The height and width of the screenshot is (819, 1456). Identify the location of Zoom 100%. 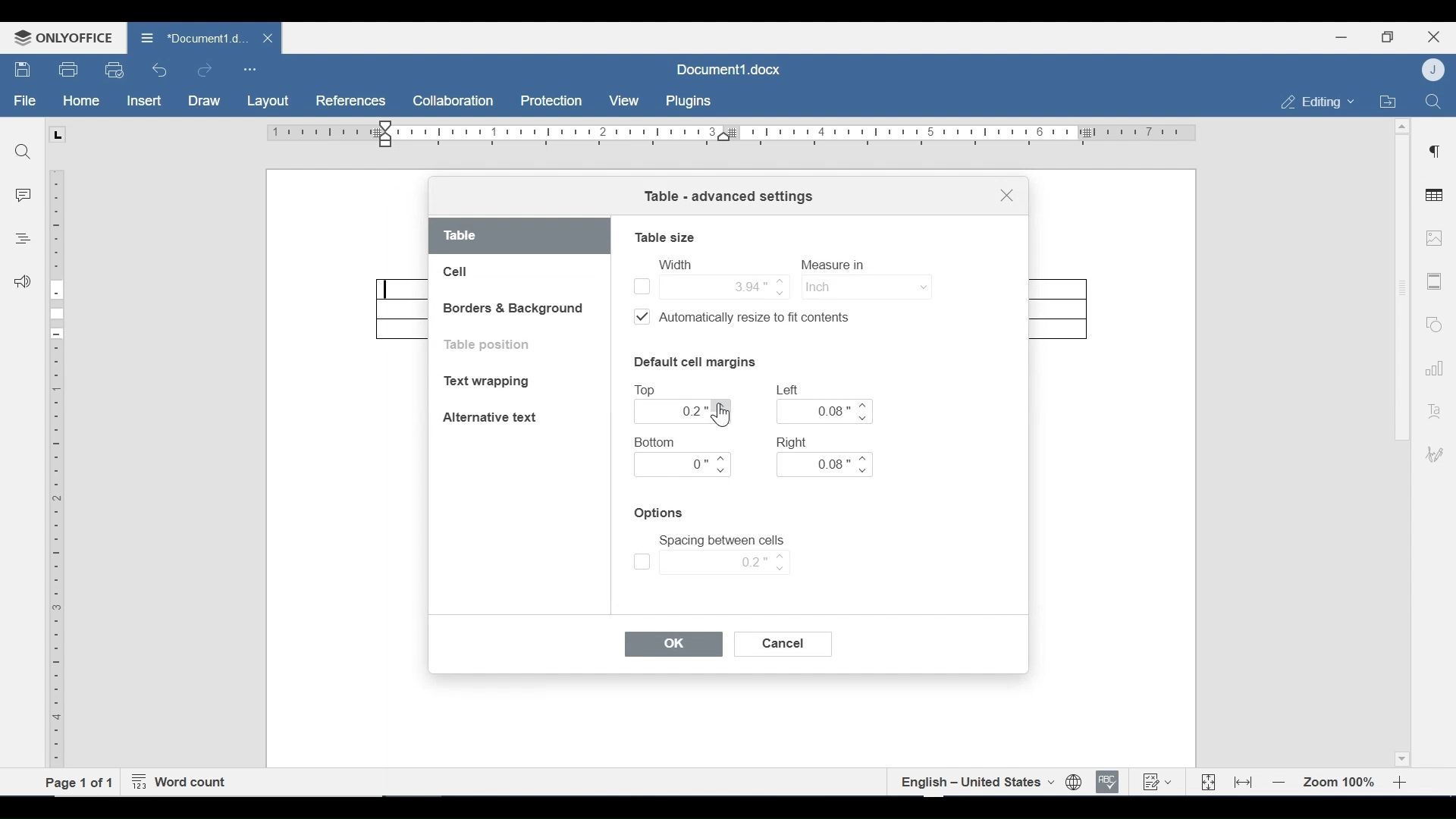
(1340, 783).